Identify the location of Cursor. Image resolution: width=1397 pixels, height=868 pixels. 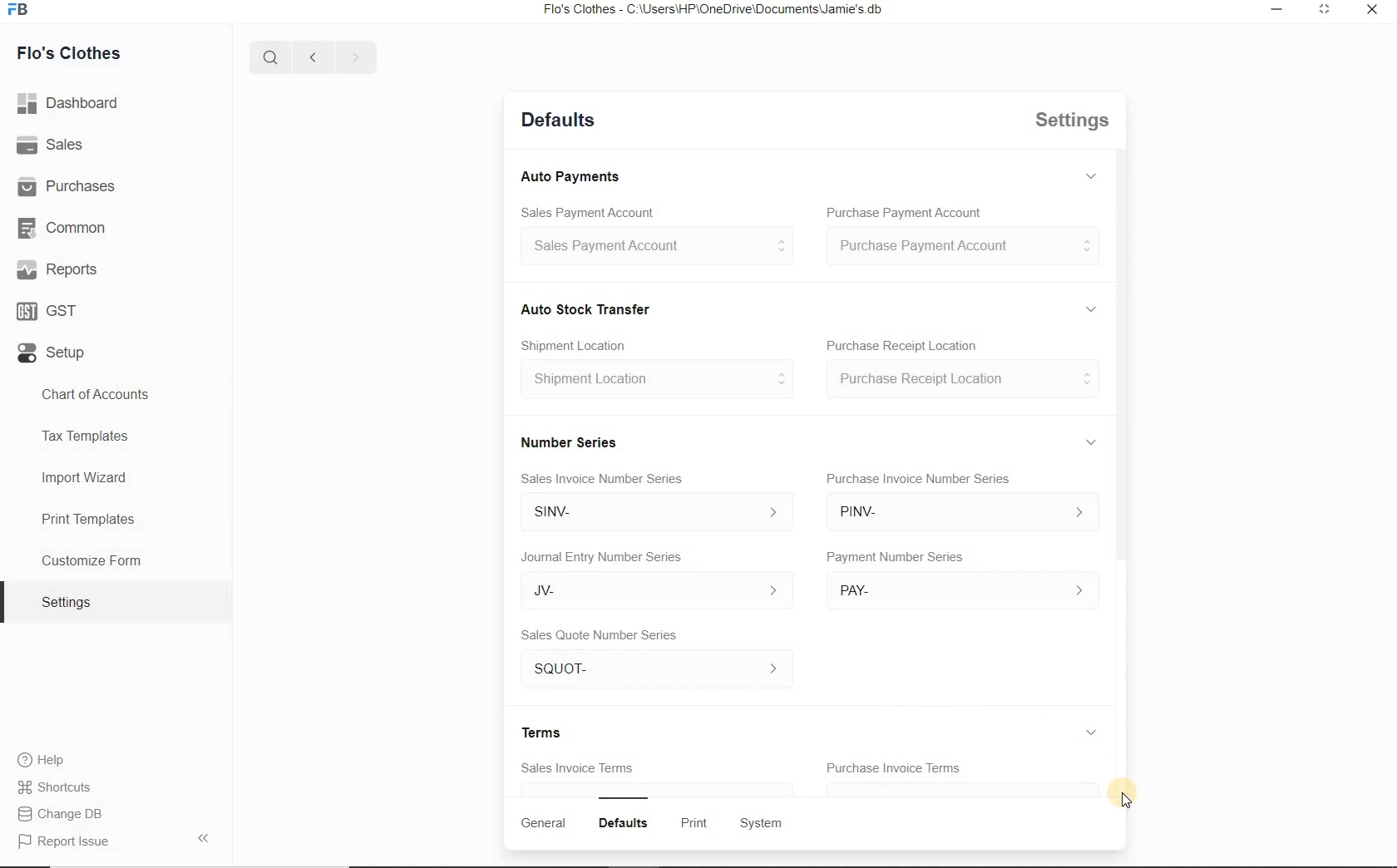
(1121, 794).